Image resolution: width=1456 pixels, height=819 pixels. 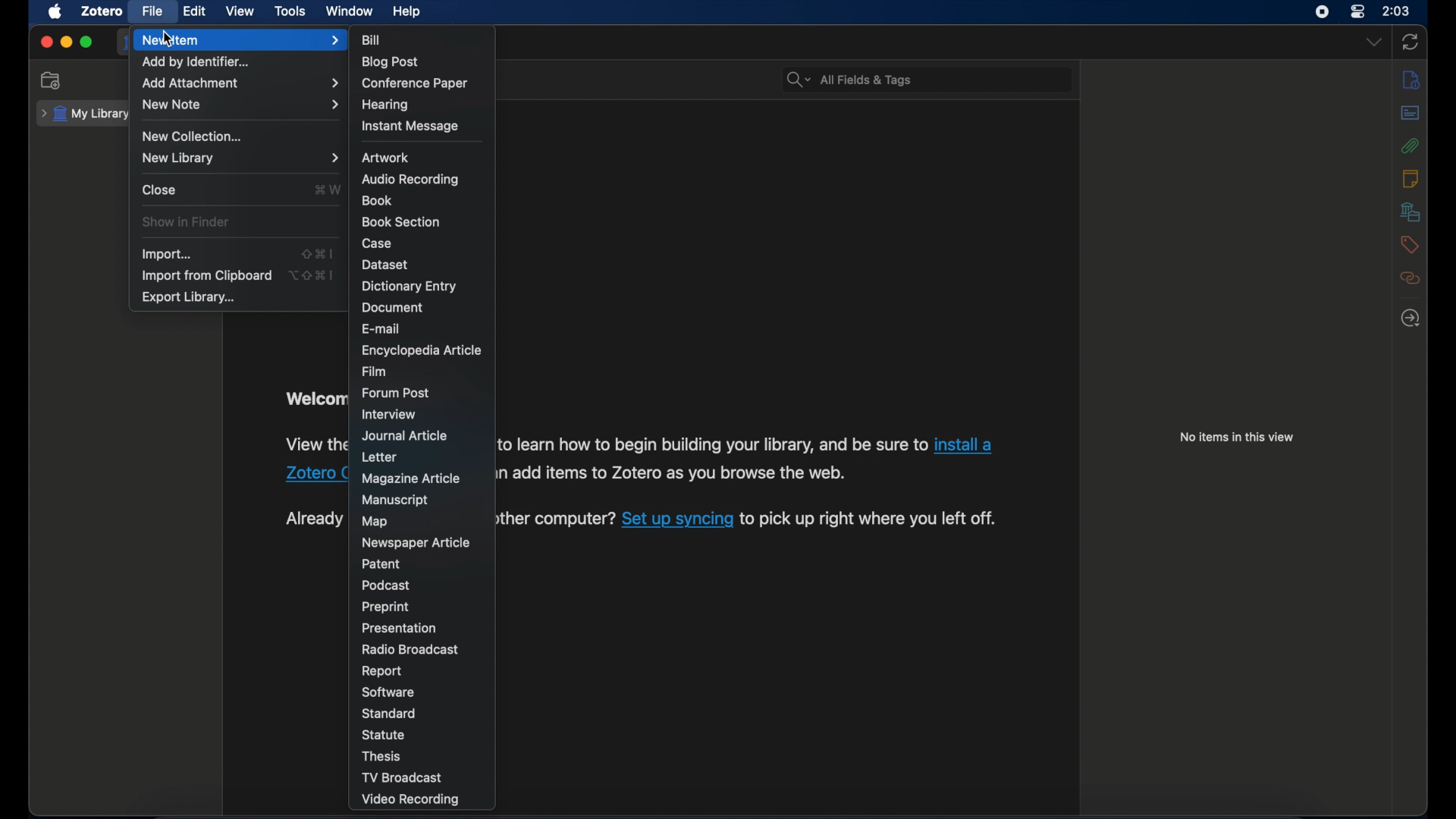 I want to click on obscure text, so click(x=314, y=400).